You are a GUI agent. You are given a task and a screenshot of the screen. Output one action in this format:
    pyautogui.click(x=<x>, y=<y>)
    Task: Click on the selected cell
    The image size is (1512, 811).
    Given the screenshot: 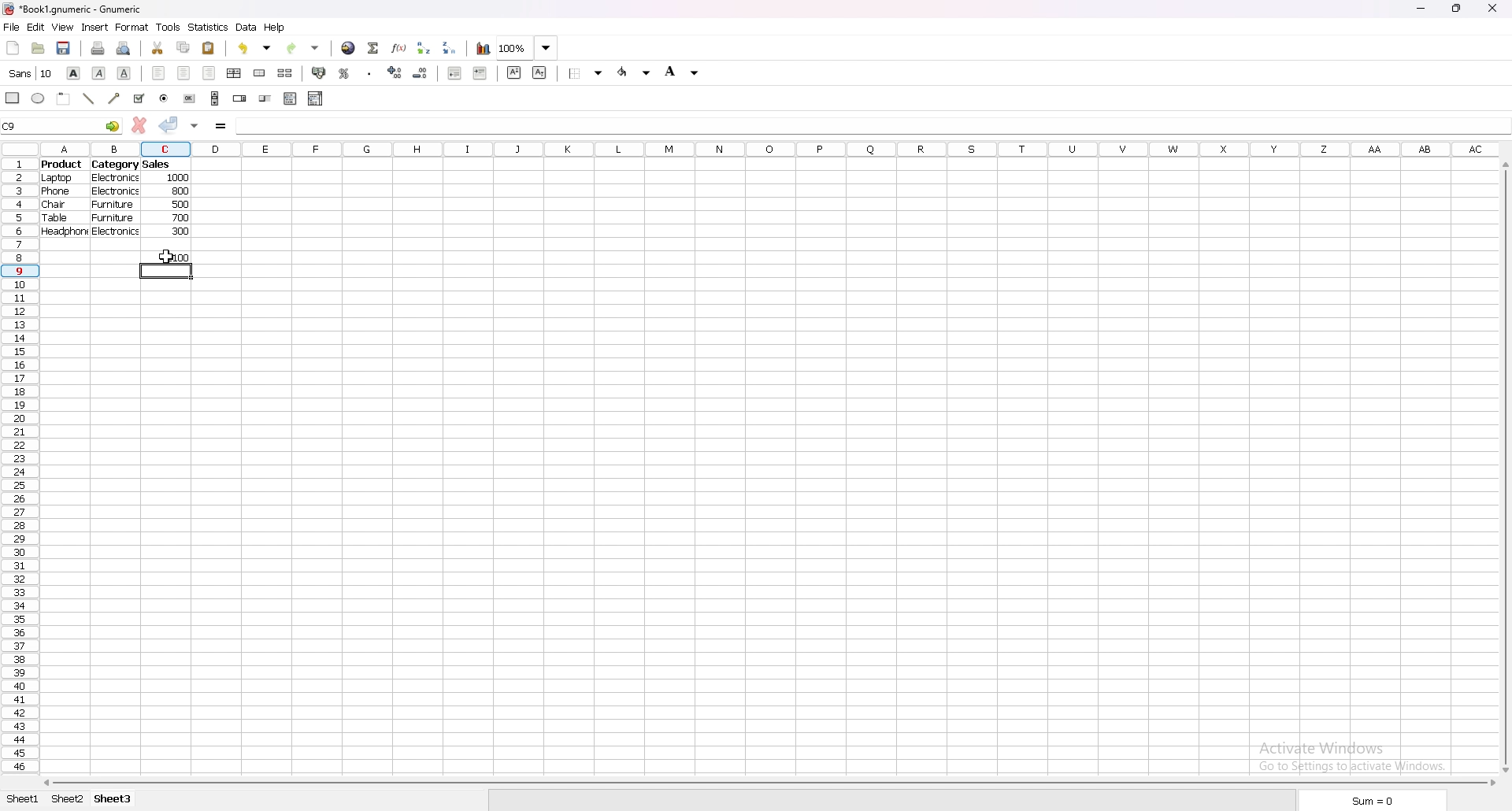 What is the action you would take?
    pyautogui.click(x=165, y=274)
    